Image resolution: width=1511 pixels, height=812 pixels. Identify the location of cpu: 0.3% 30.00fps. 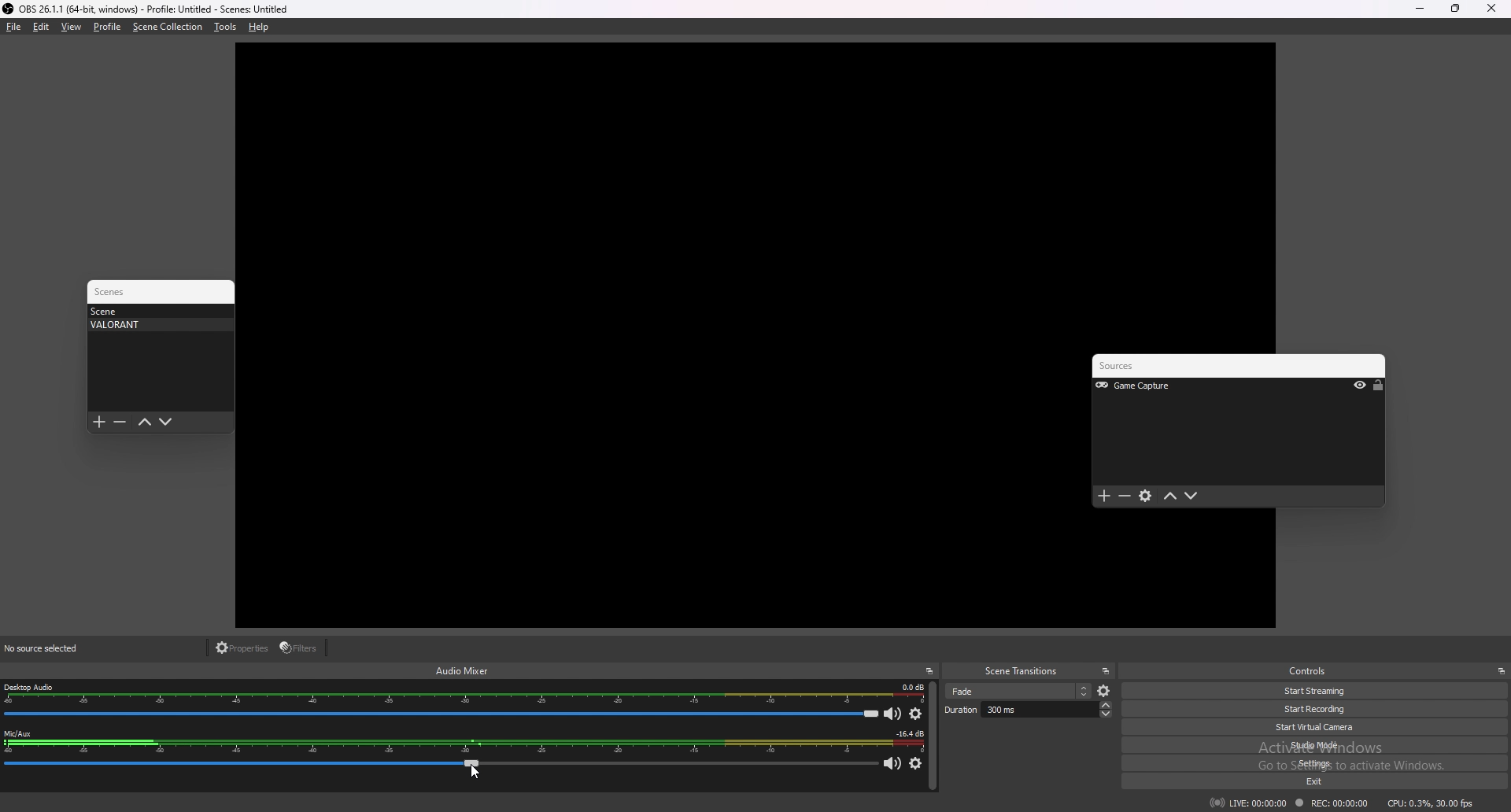
(1431, 802).